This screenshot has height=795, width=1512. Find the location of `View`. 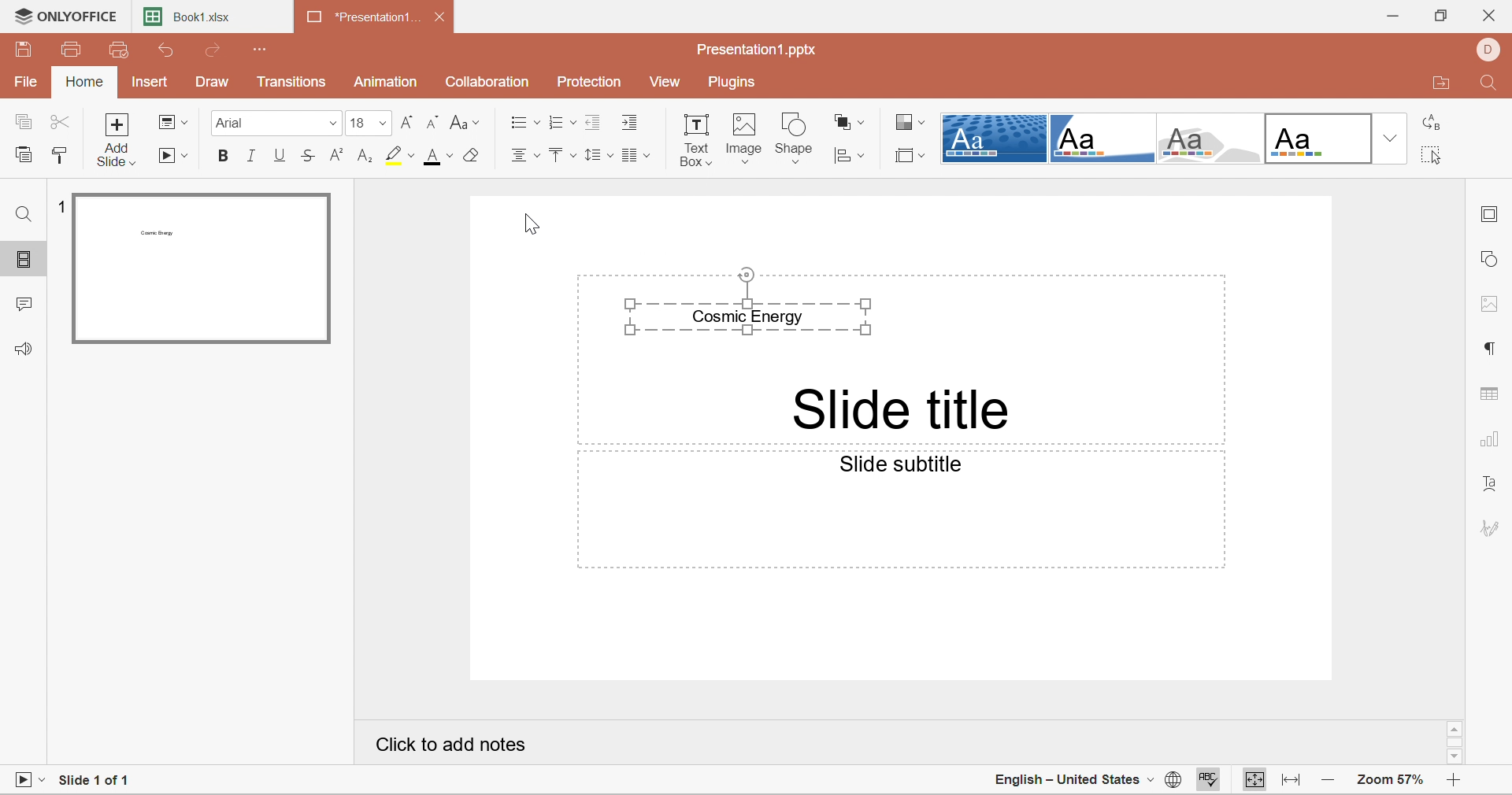

View is located at coordinates (669, 83).